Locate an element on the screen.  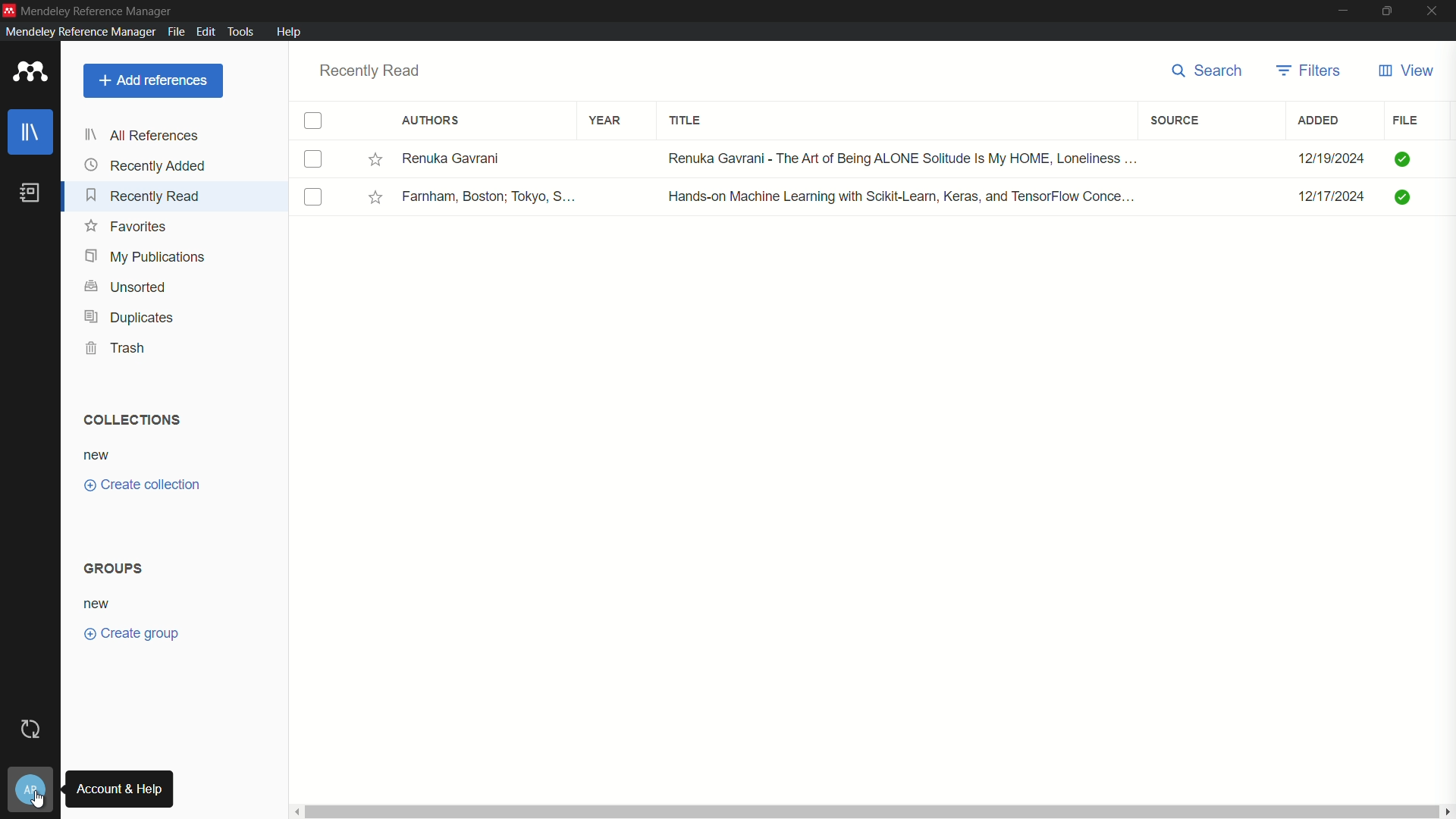
search is located at coordinates (1207, 74).